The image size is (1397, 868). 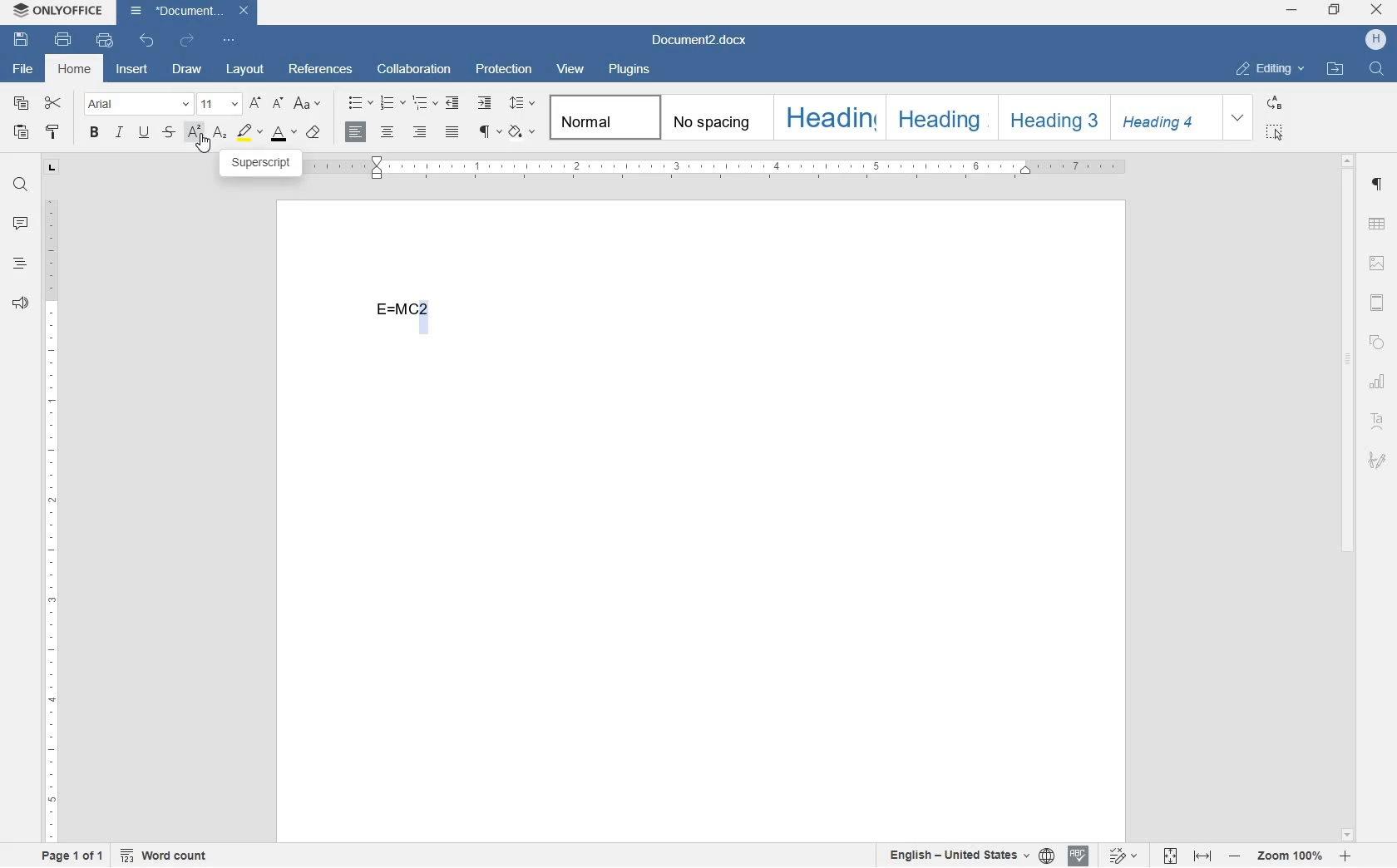 What do you see at coordinates (20, 303) in the screenshot?
I see `feedback & support` at bounding box center [20, 303].